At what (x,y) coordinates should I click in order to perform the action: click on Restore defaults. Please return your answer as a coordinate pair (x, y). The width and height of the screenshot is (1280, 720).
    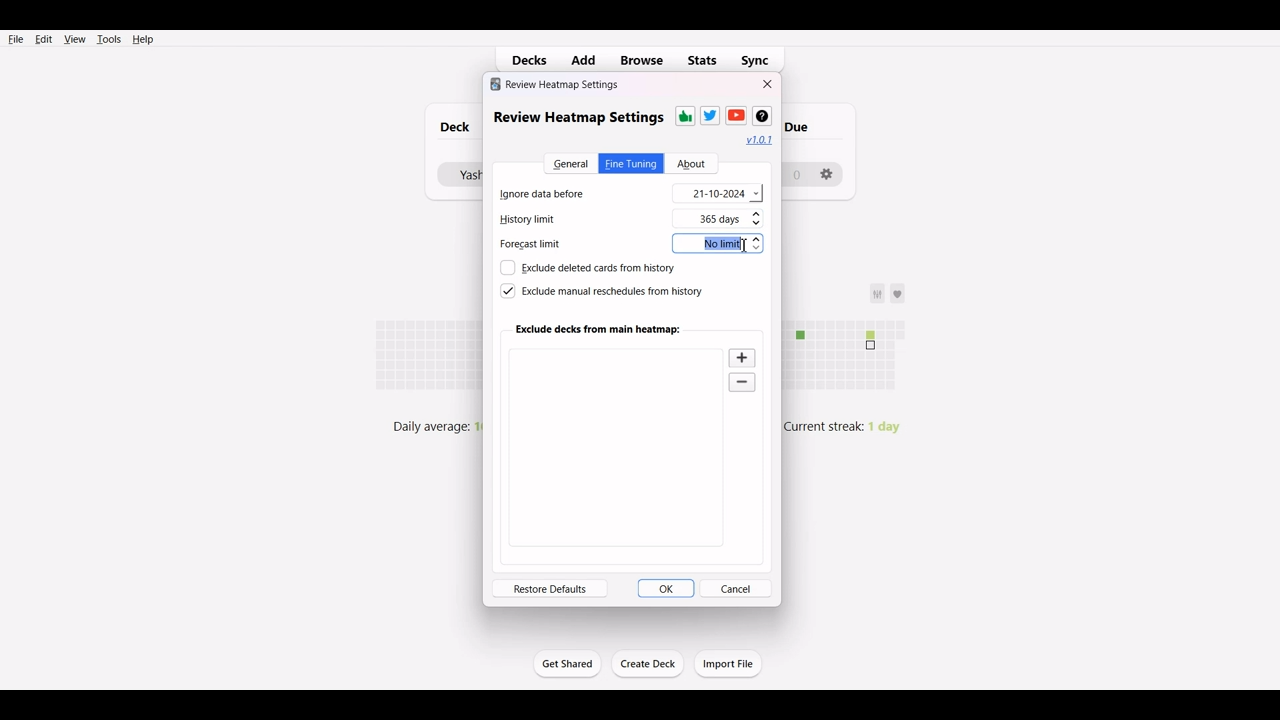
    Looking at the image, I should click on (550, 588).